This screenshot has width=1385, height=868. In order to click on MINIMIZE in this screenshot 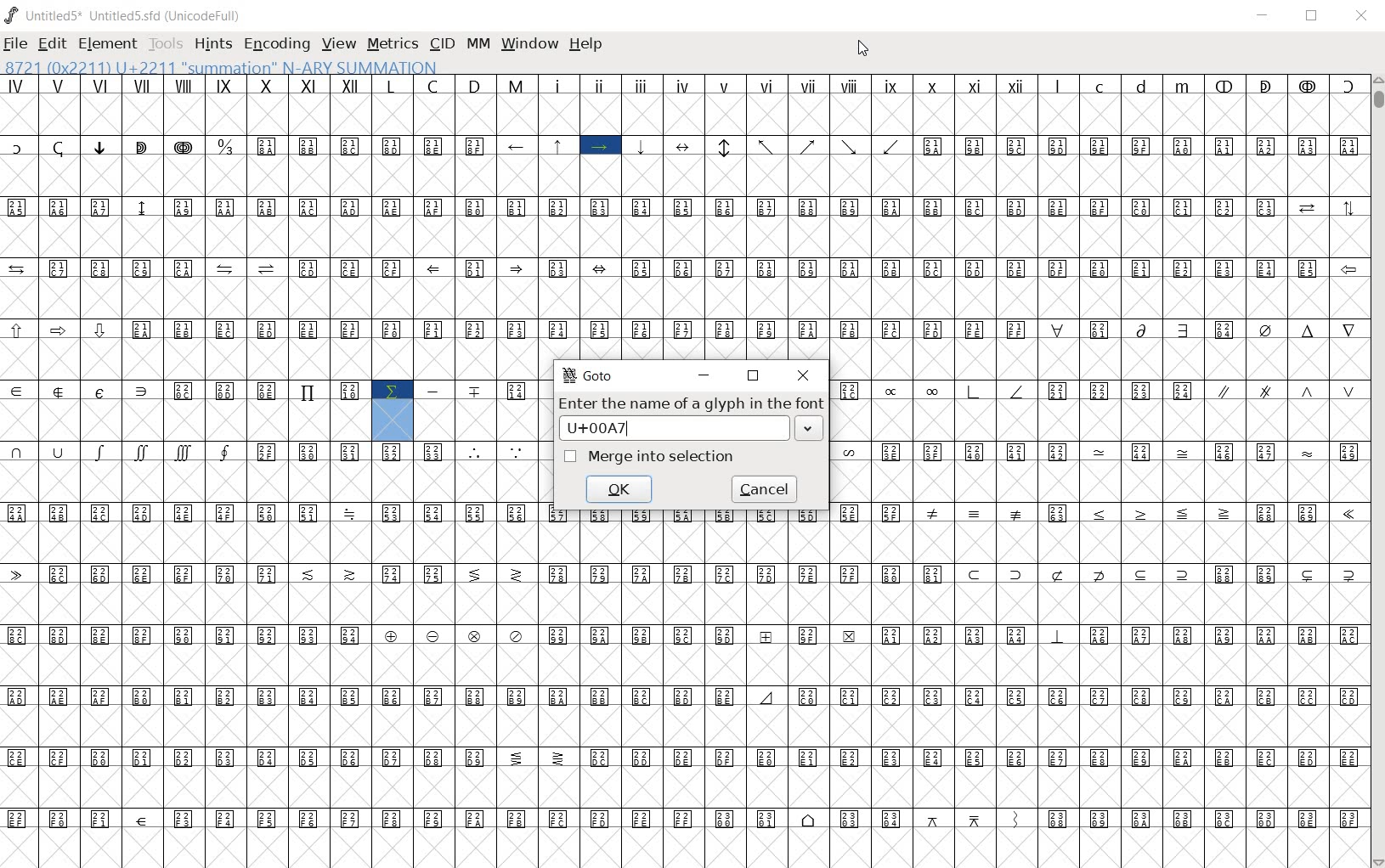, I will do `click(1265, 15)`.